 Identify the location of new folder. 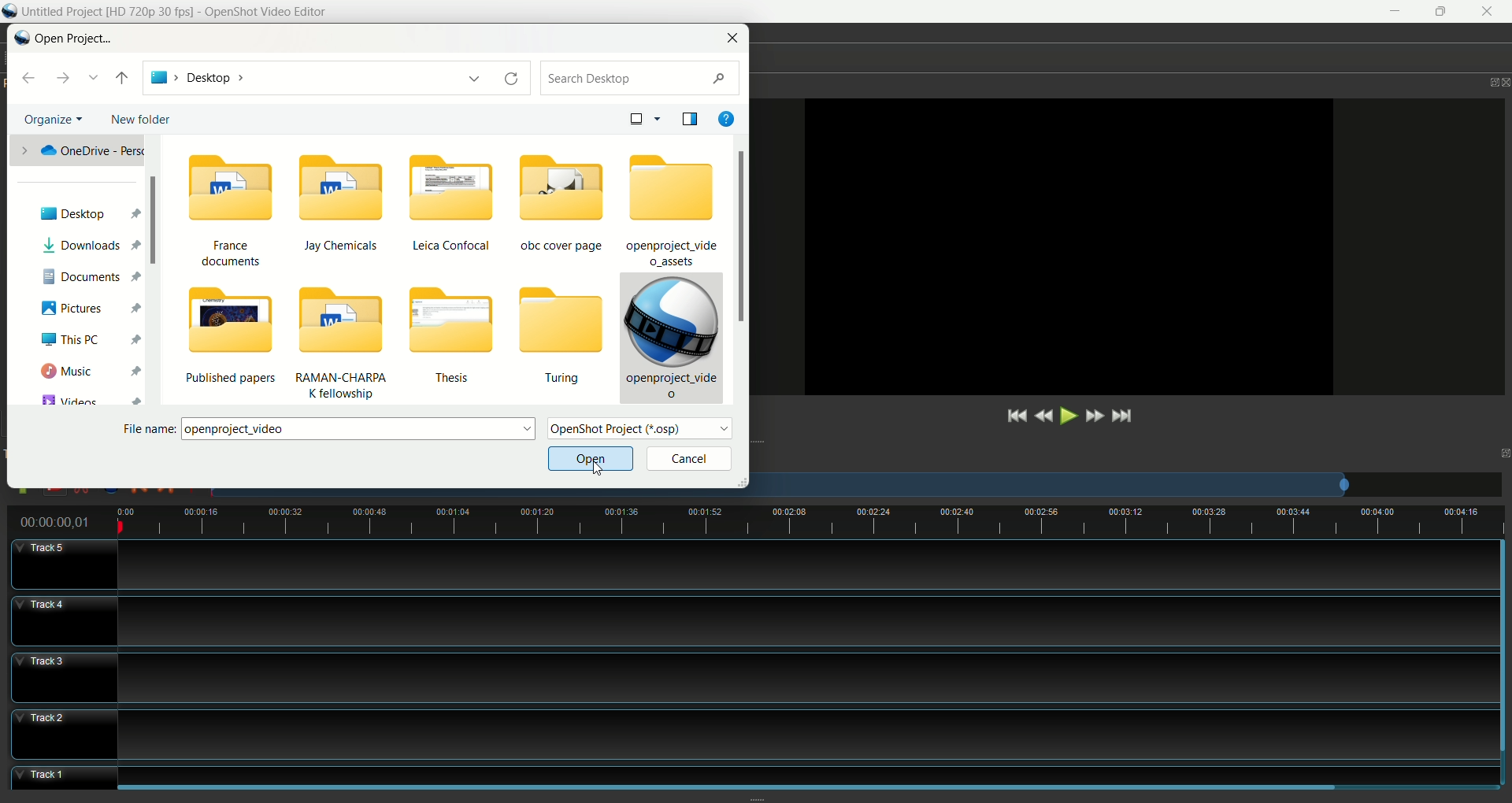
(144, 119).